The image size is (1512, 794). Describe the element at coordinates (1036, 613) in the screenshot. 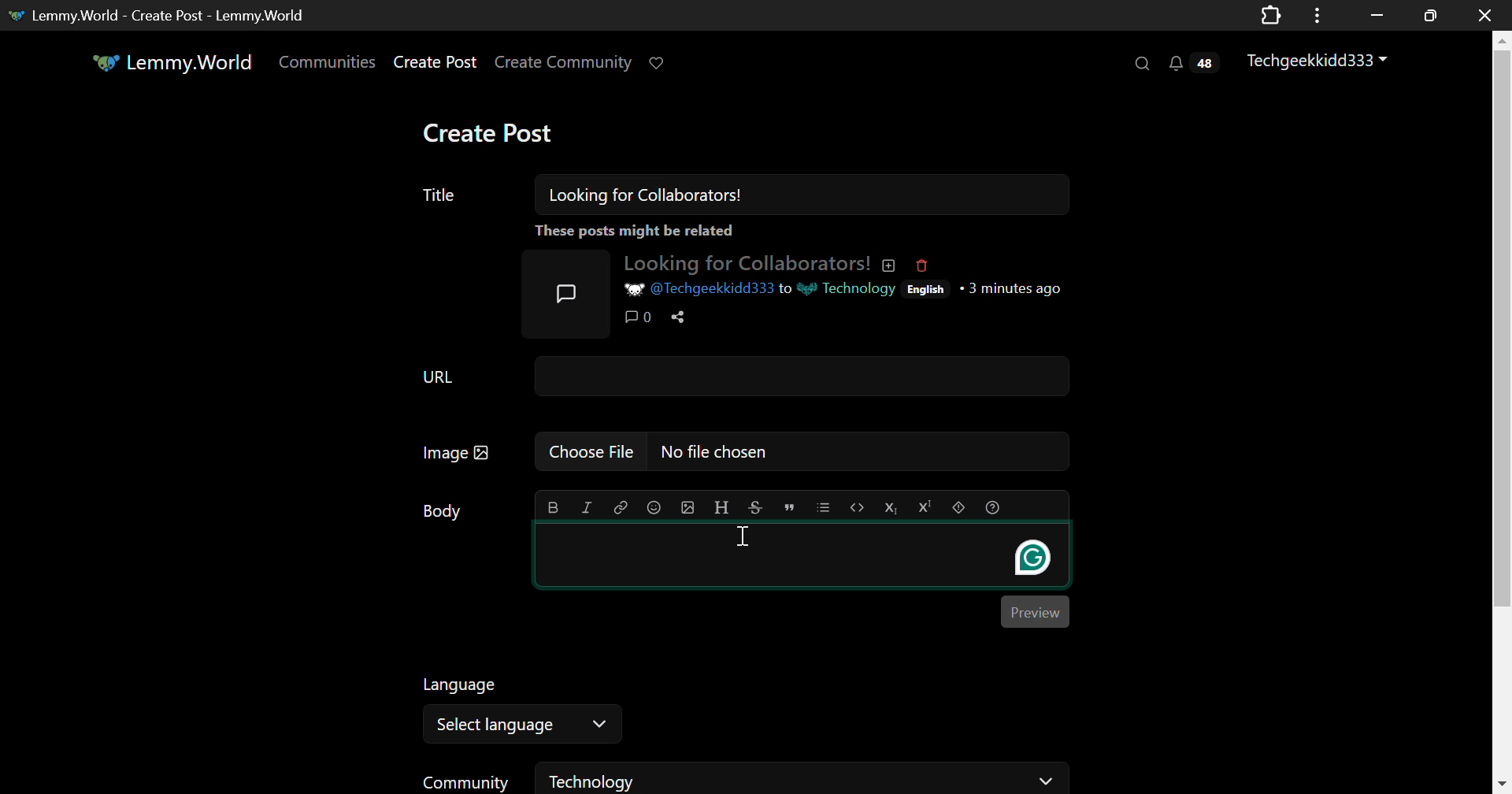

I see `Preview` at that location.